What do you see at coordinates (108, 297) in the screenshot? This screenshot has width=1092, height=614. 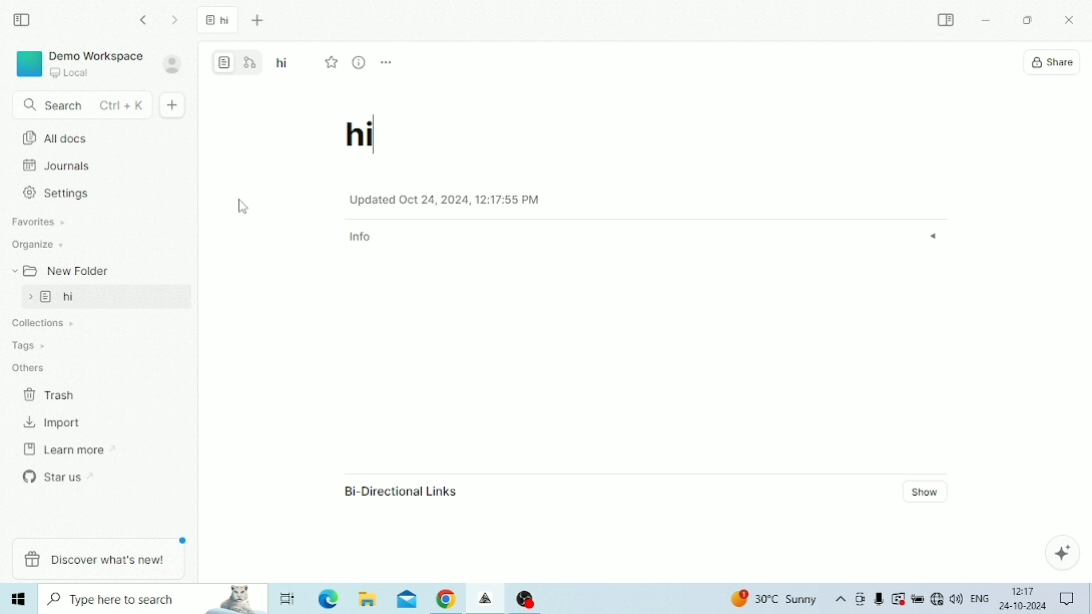 I see `hi` at bounding box center [108, 297].